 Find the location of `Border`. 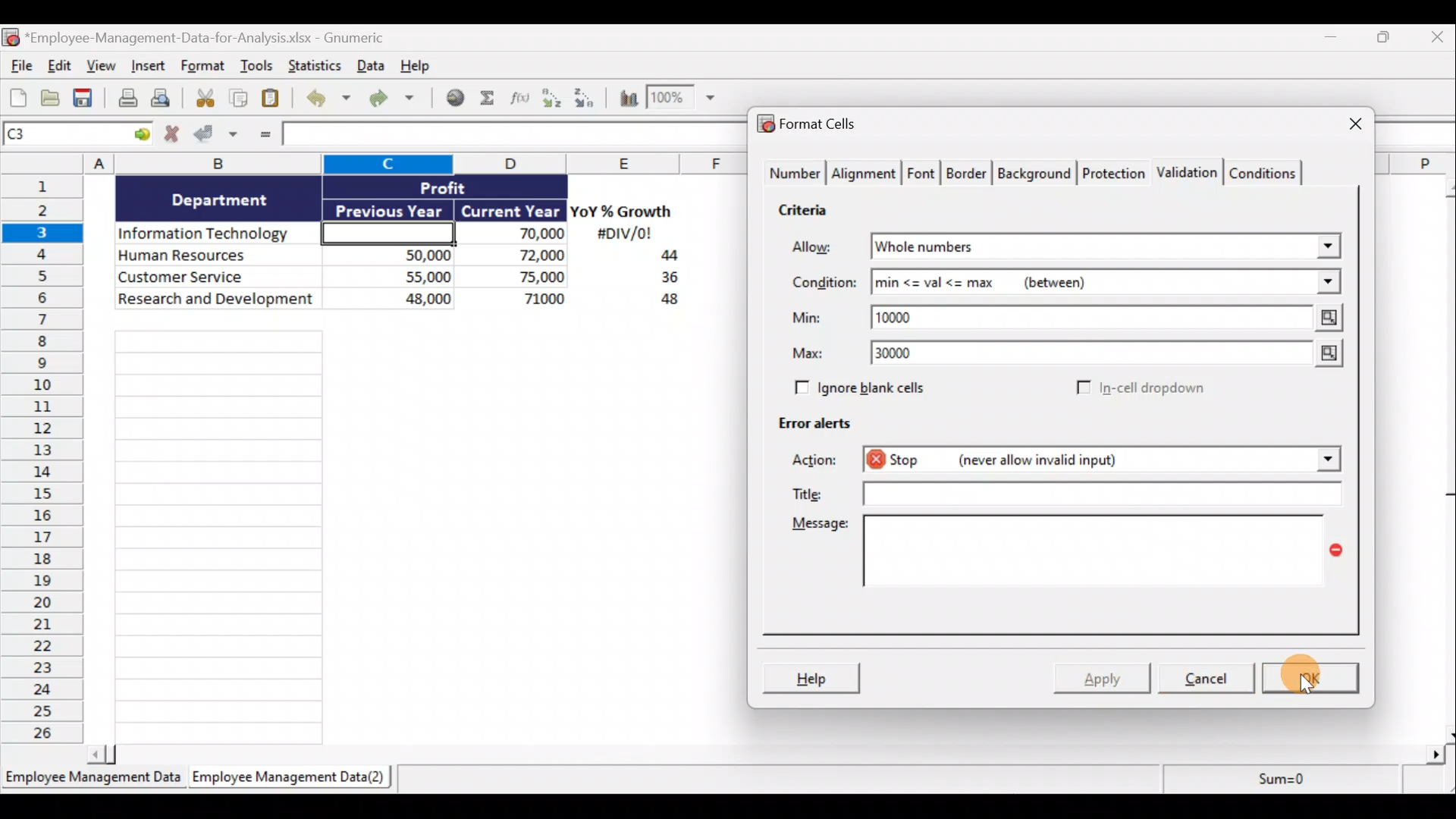

Border is located at coordinates (968, 174).